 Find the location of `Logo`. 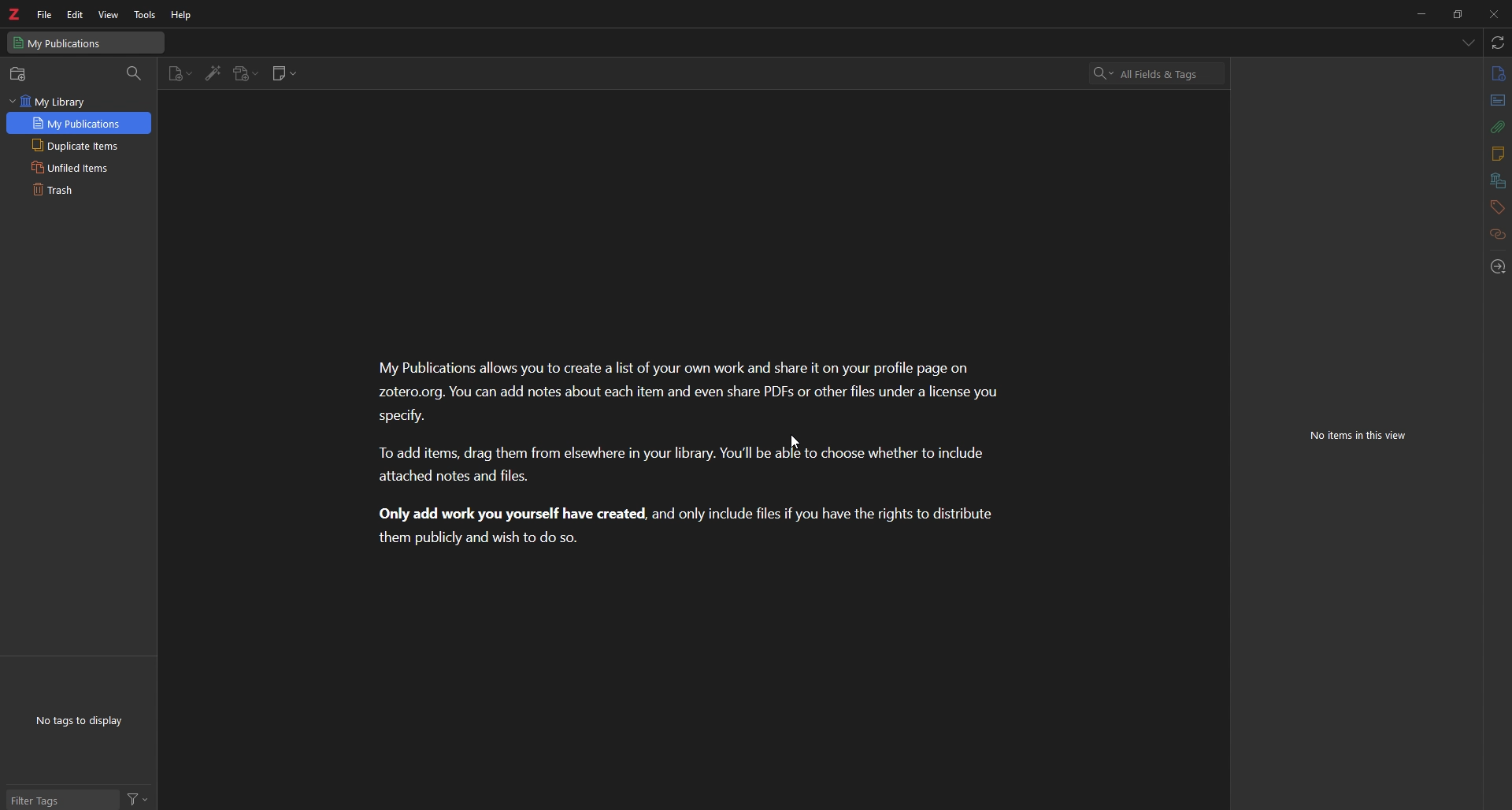

Logo is located at coordinates (17, 15).